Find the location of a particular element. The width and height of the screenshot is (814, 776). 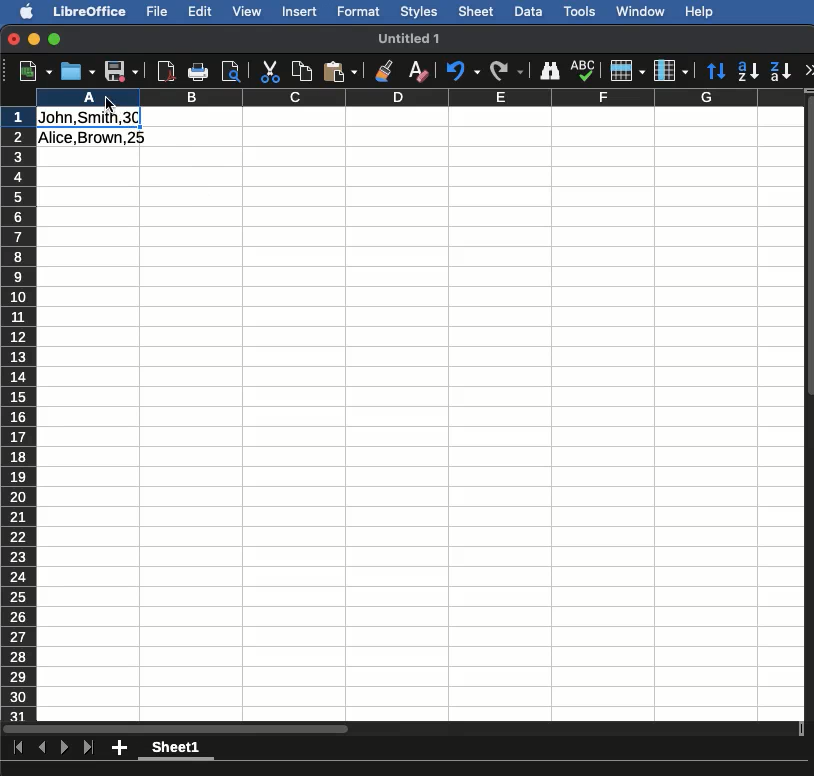

Previous sheet is located at coordinates (42, 746).